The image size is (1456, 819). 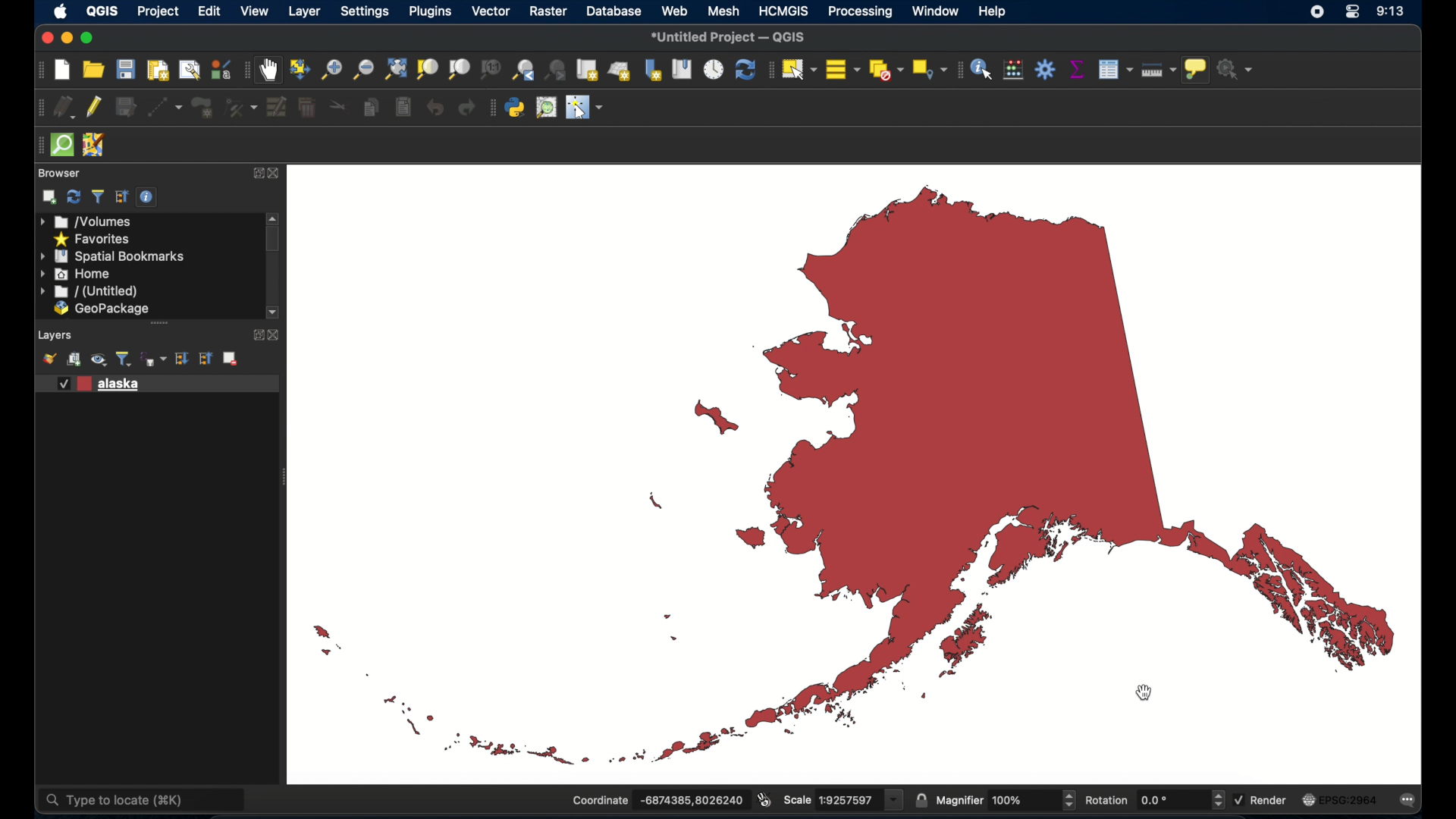 I want to click on browser, so click(x=62, y=173).